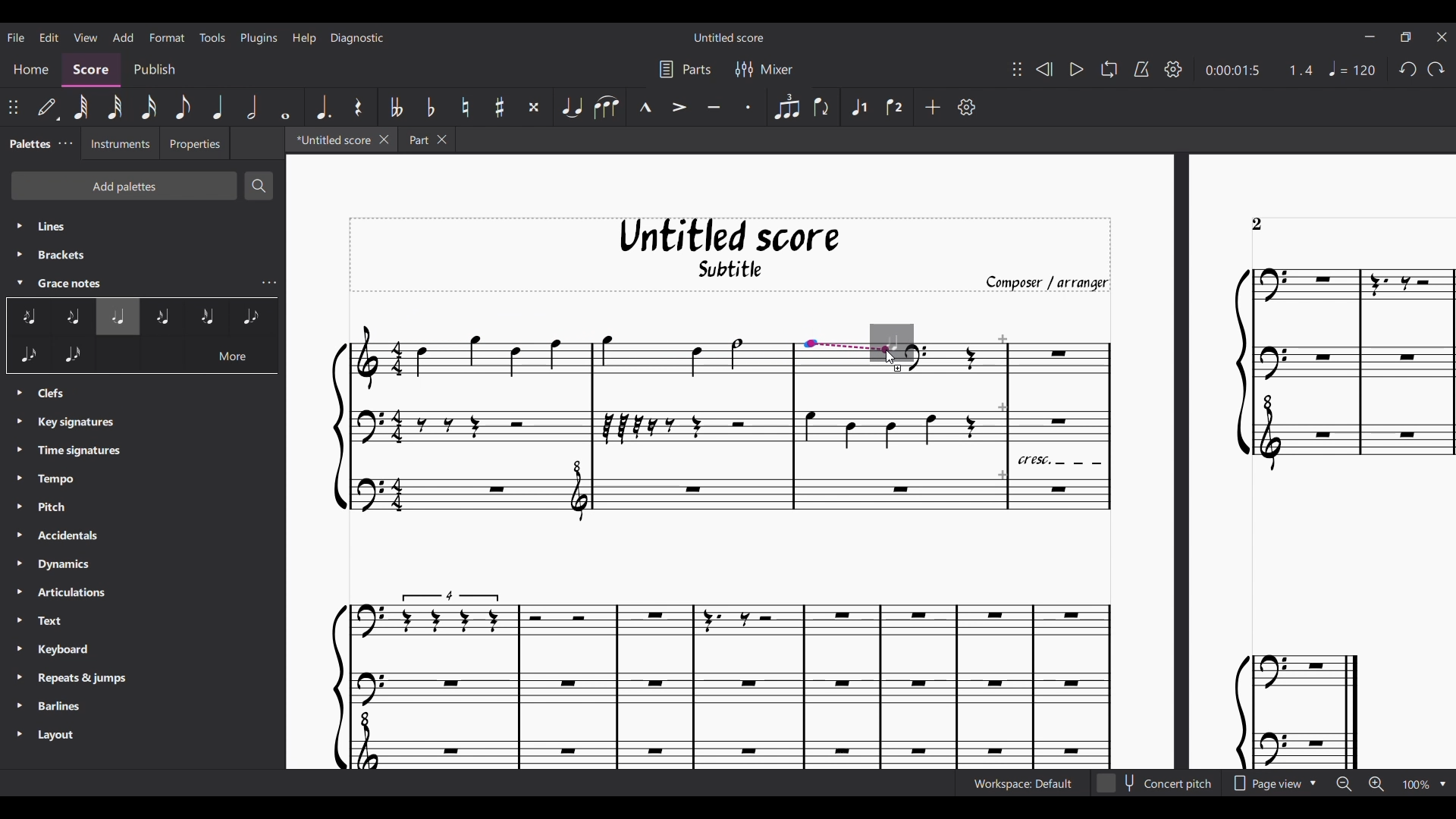 This screenshot has height=819, width=1456. Describe the element at coordinates (1278, 784) in the screenshot. I see `options to change page view` at that location.